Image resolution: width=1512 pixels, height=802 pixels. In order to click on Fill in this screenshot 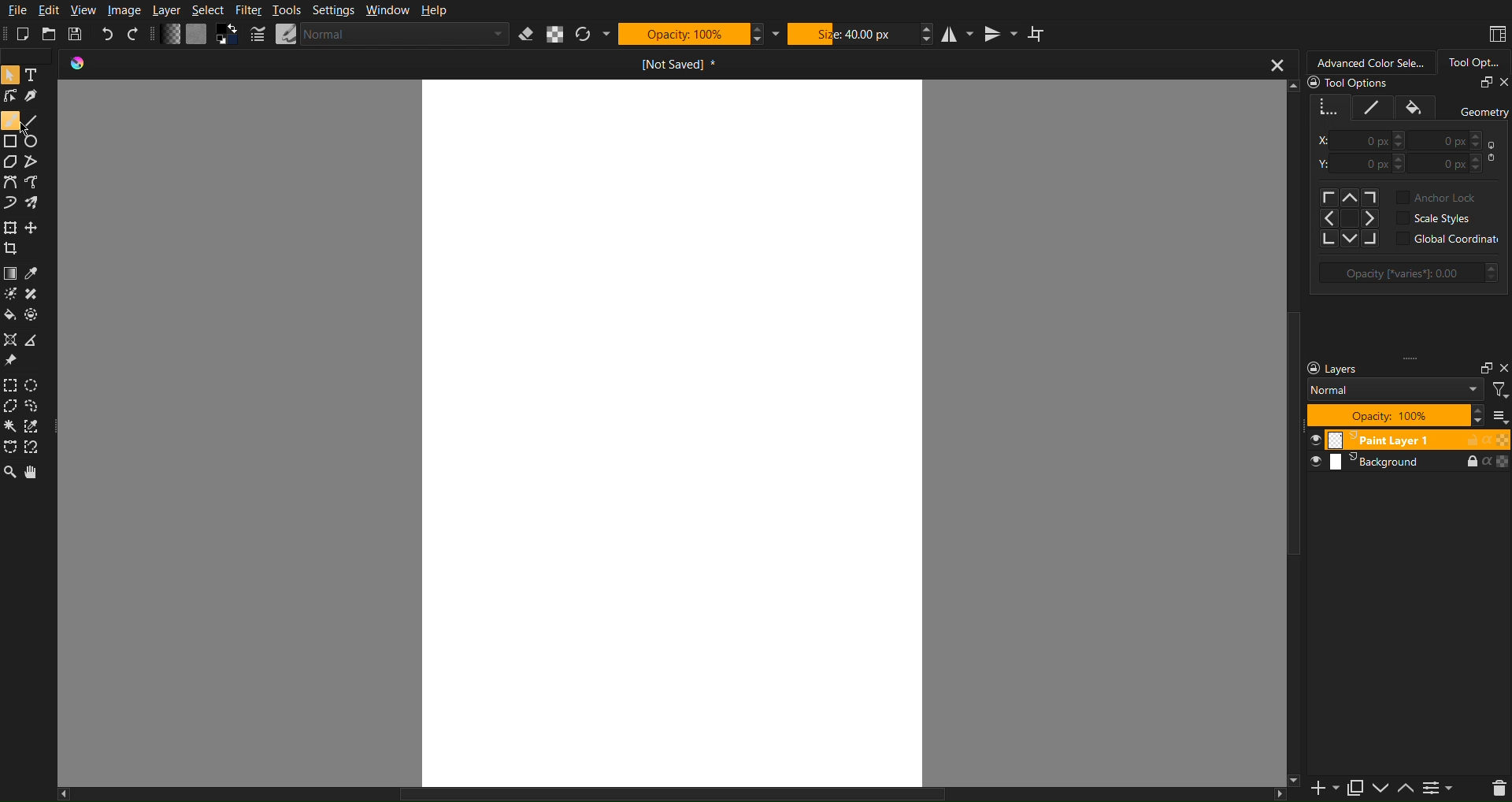, I will do `click(1415, 107)`.